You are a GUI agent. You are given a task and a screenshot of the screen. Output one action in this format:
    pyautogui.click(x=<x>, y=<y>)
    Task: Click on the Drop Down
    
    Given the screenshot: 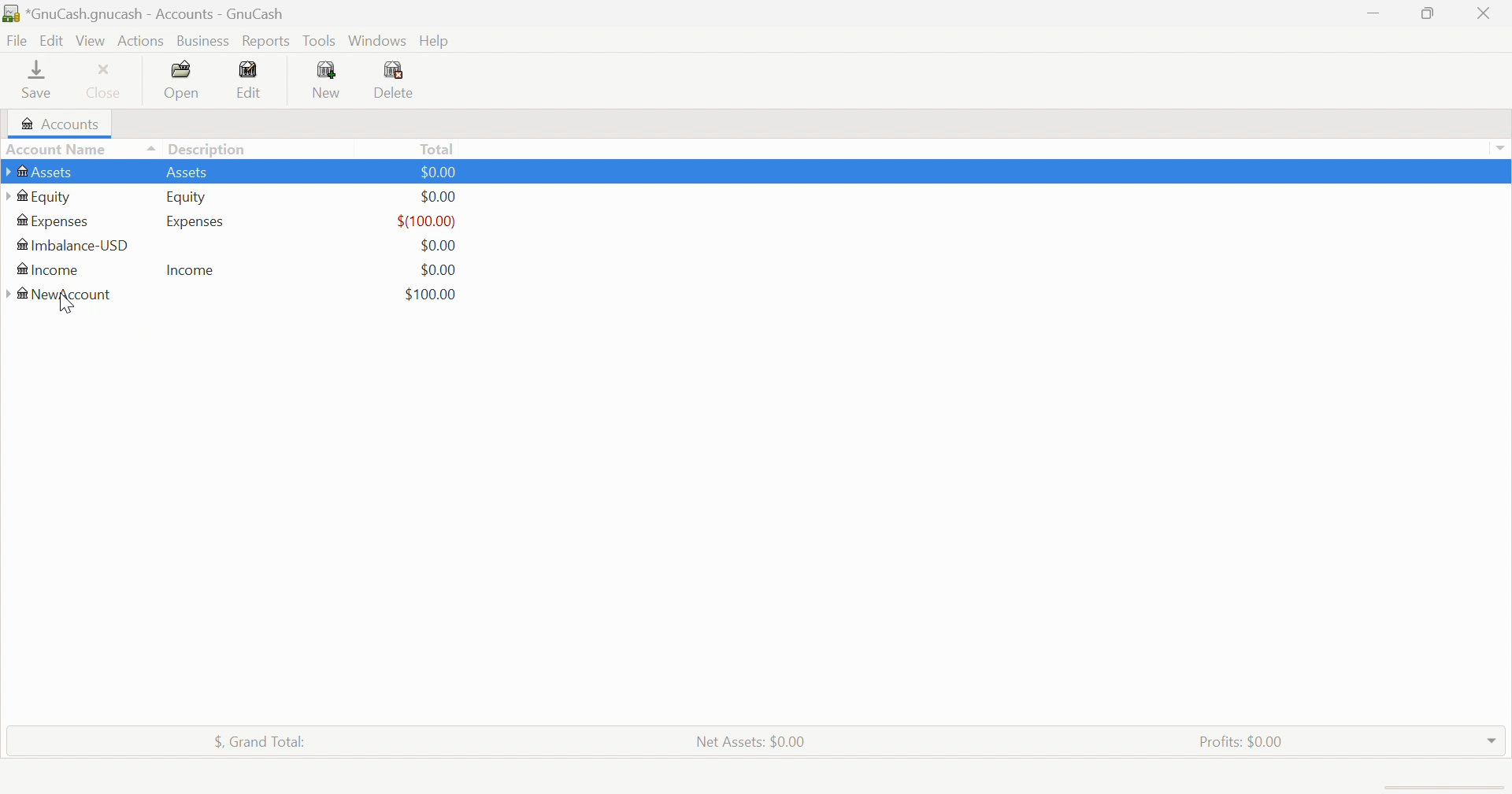 What is the action you would take?
    pyautogui.click(x=1499, y=147)
    